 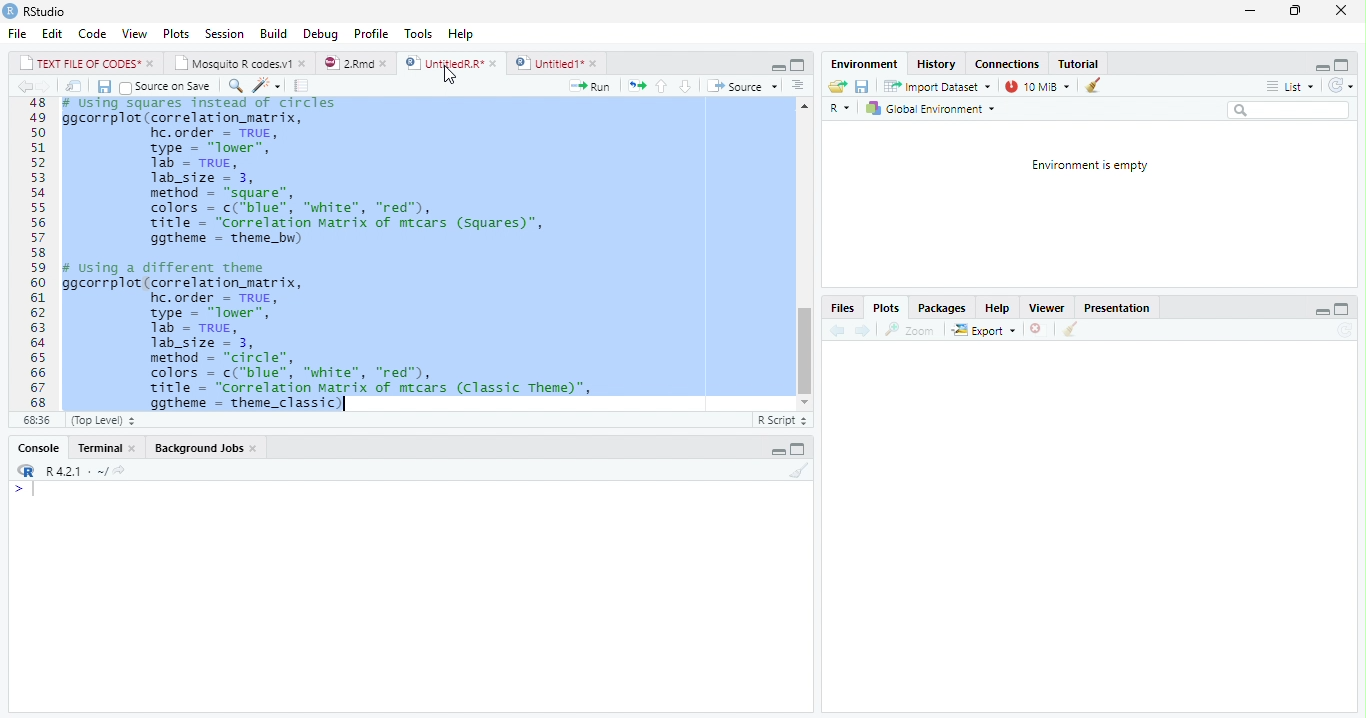 What do you see at coordinates (344, 405) in the screenshot?
I see `typing cursor` at bounding box center [344, 405].